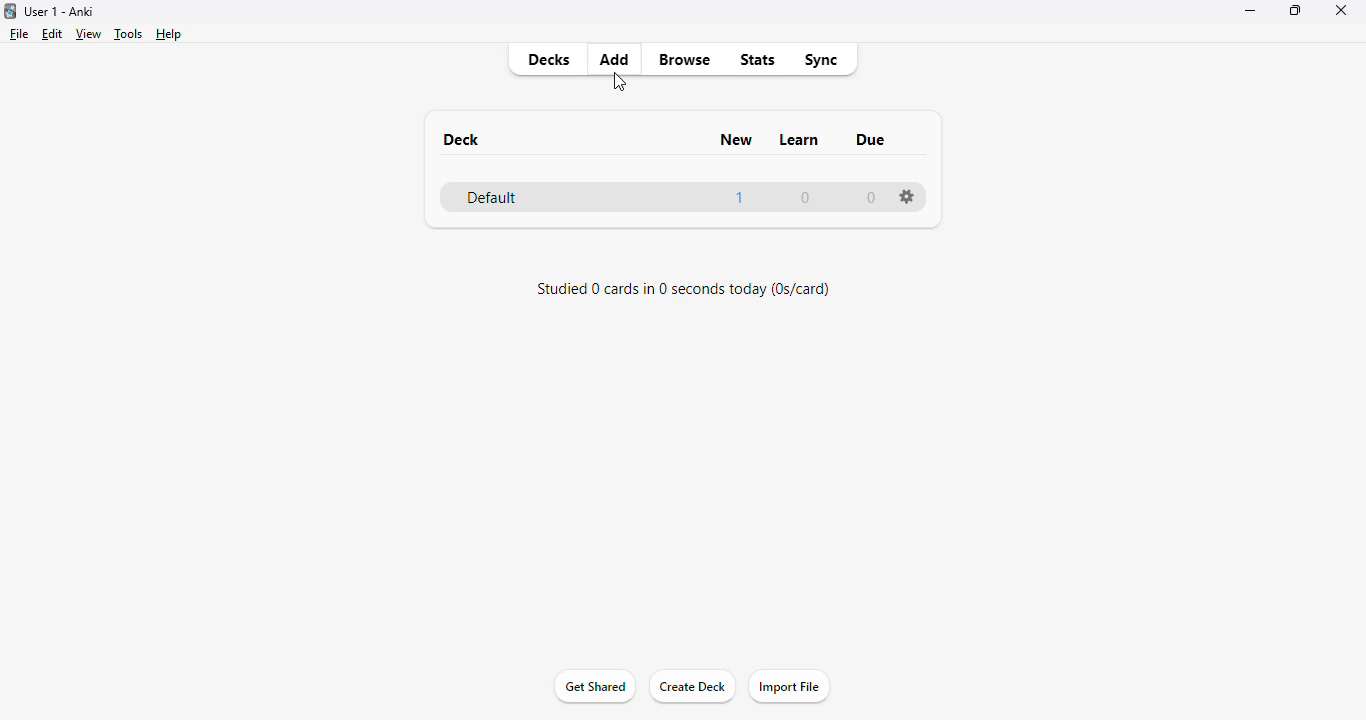  Describe the element at coordinates (739, 197) in the screenshot. I see `1` at that location.